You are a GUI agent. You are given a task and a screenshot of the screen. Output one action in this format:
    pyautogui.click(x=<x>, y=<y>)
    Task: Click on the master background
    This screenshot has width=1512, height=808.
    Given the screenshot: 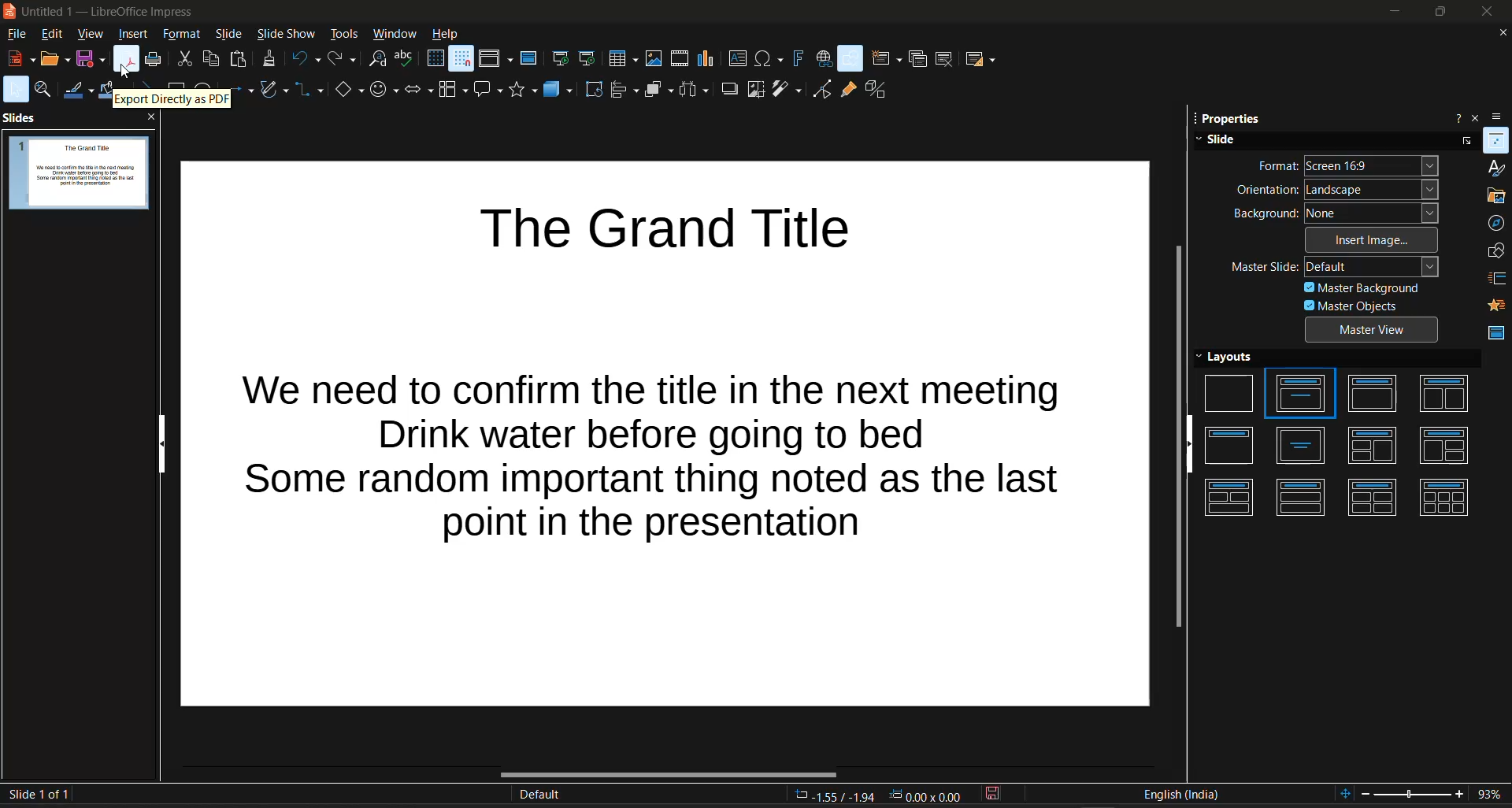 What is the action you would take?
    pyautogui.click(x=1361, y=287)
    